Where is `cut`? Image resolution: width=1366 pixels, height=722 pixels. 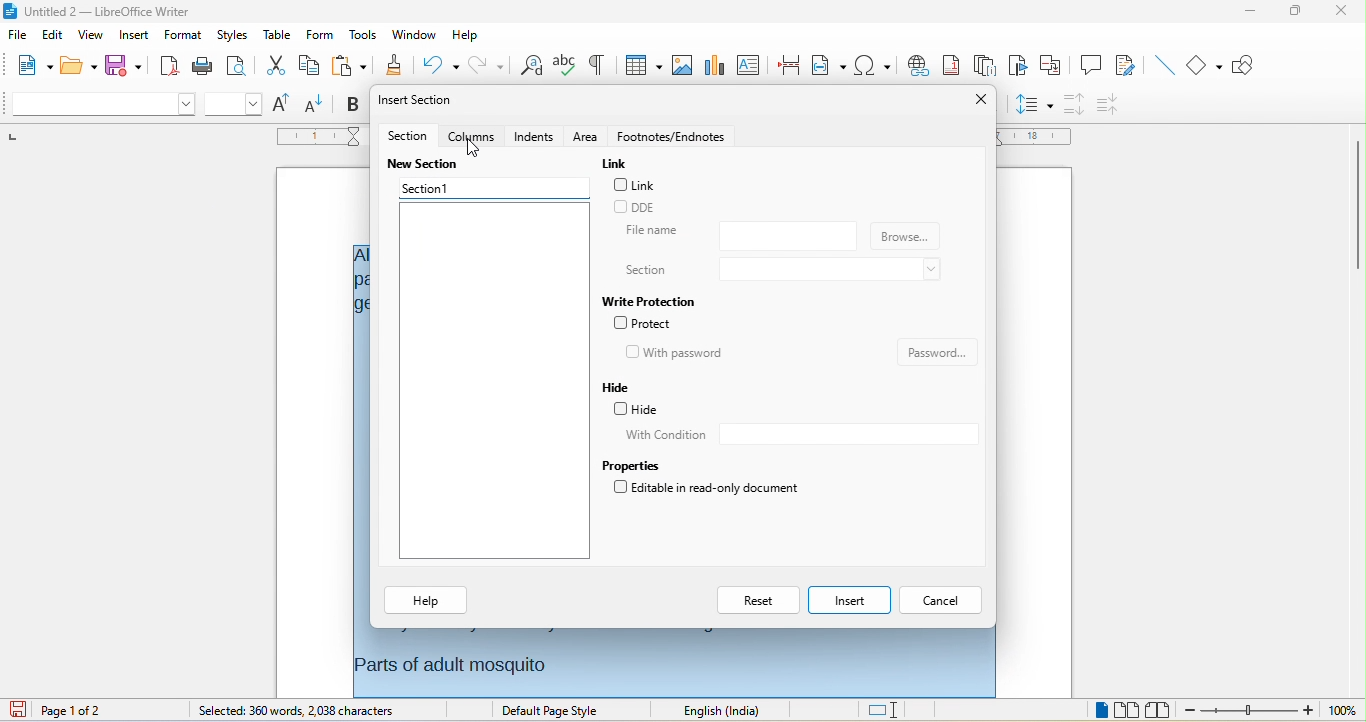 cut is located at coordinates (273, 66).